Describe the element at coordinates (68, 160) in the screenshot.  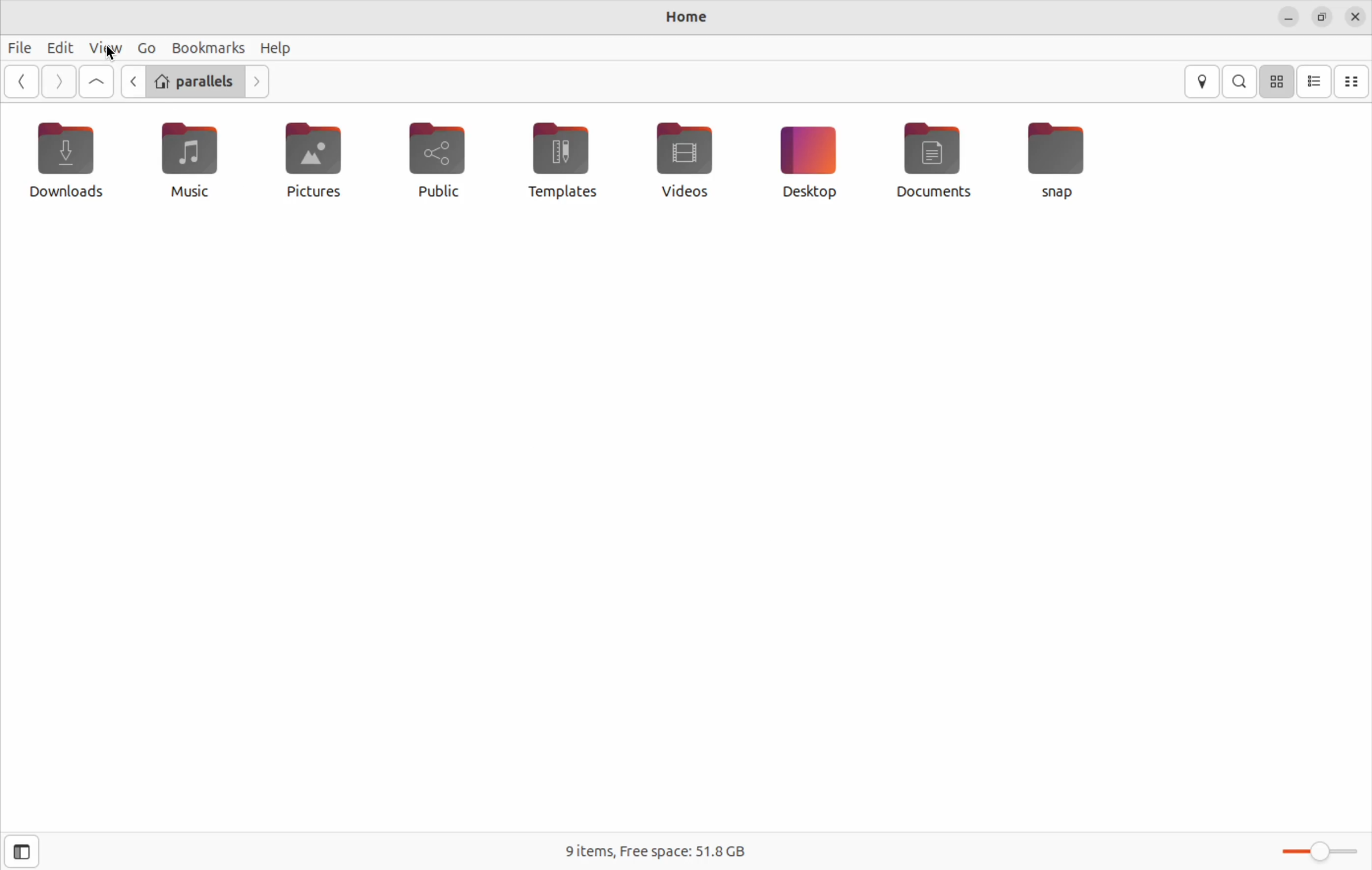
I see `downloads` at that location.